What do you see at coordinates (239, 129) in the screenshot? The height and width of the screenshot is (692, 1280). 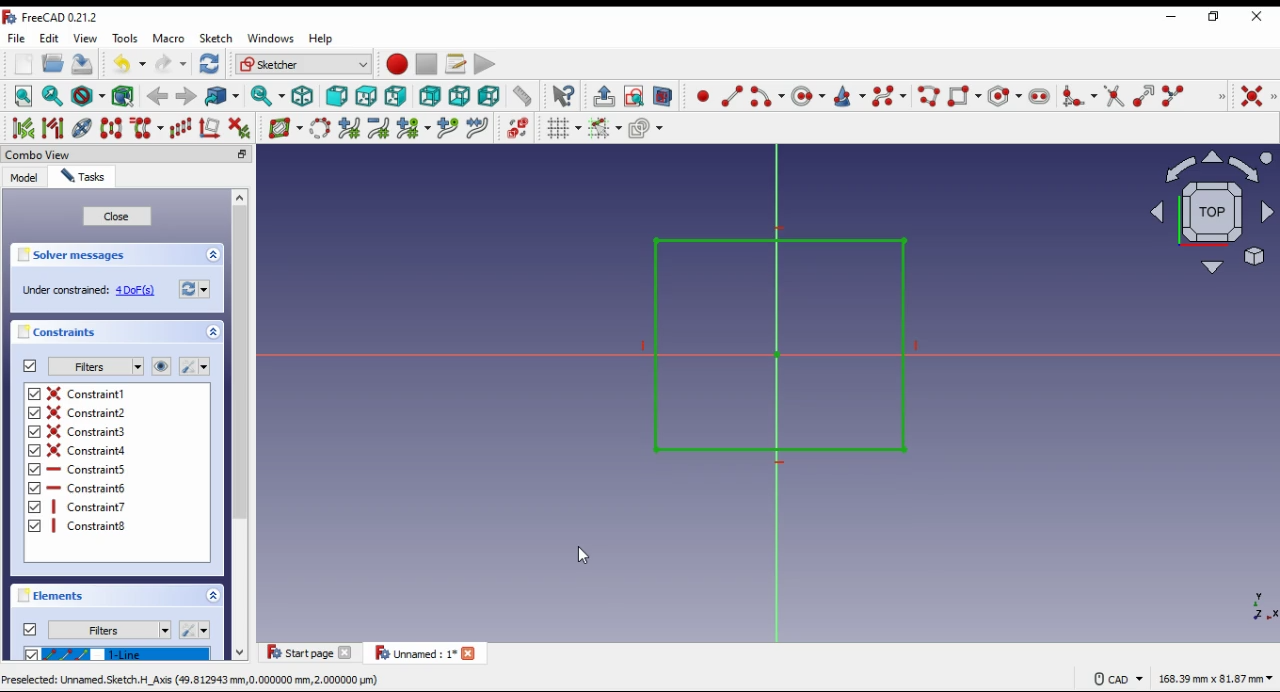 I see `delete all constraints` at bounding box center [239, 129].